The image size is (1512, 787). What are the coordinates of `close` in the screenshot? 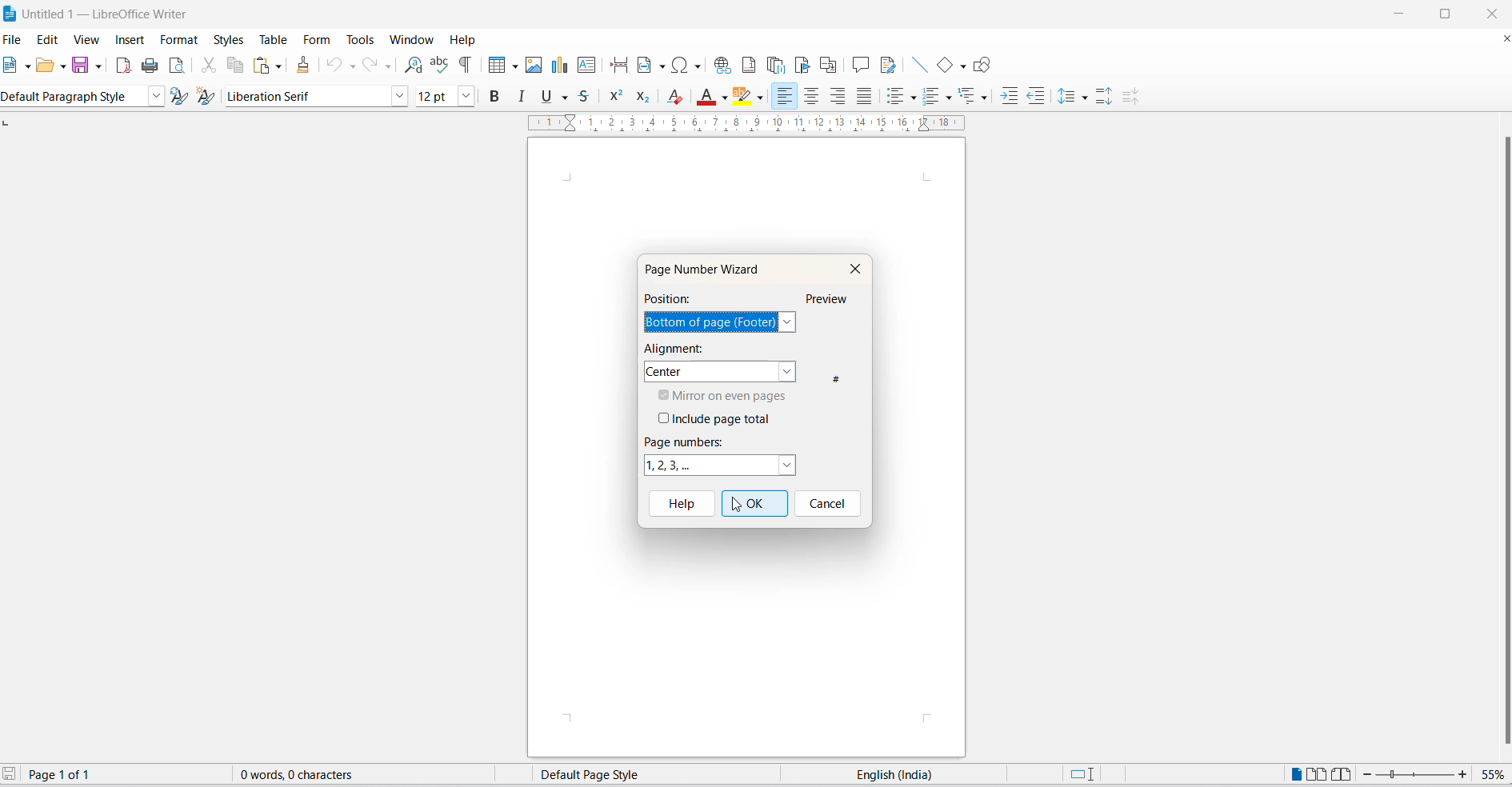 It's located at (1489, 12).